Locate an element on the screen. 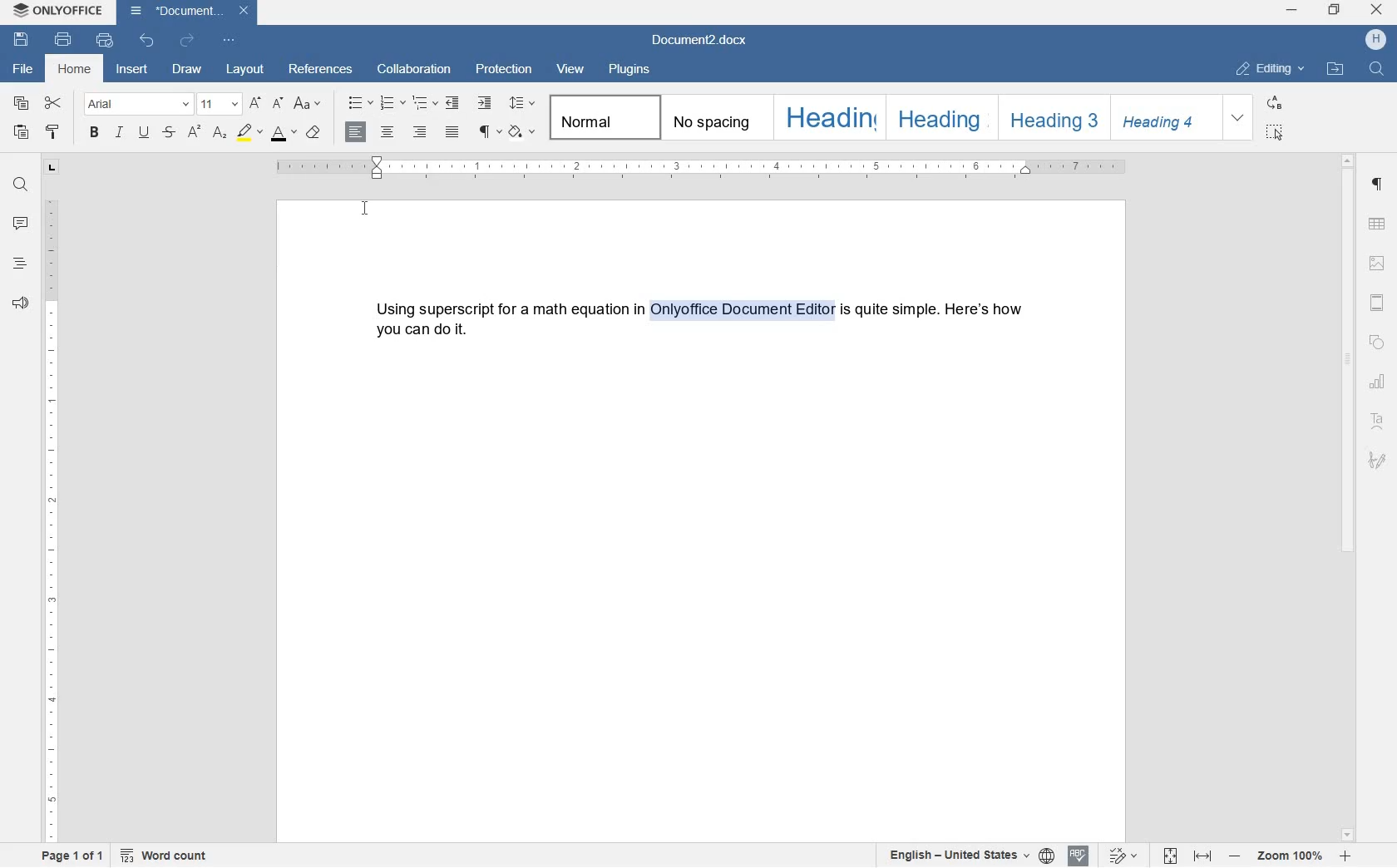  undo is located at coordinates (147, 40).